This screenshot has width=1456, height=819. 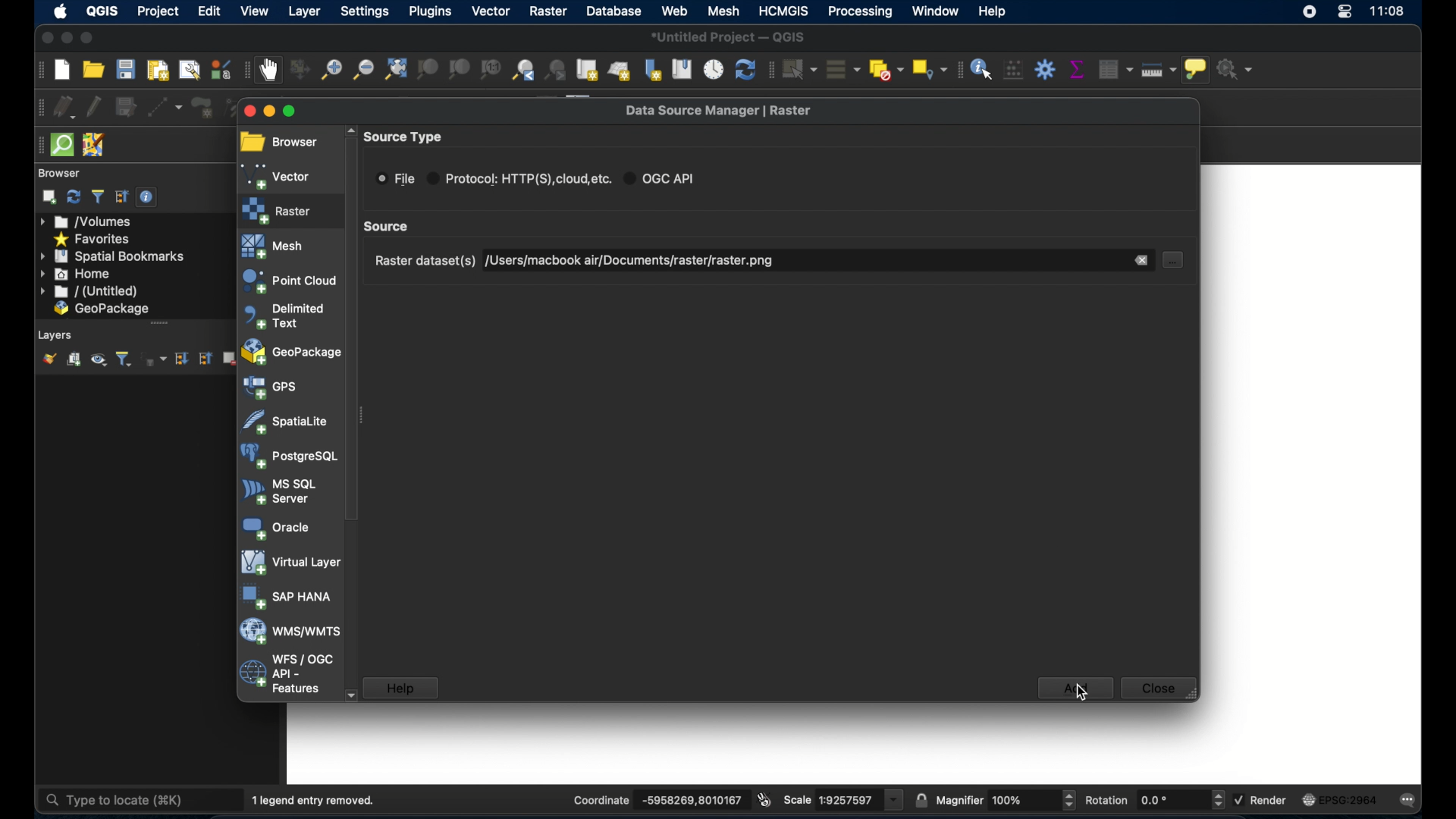 What do you see at coordinates (306, 14) in the screenshot?
I see `layer` at bounding box center [306, 14].